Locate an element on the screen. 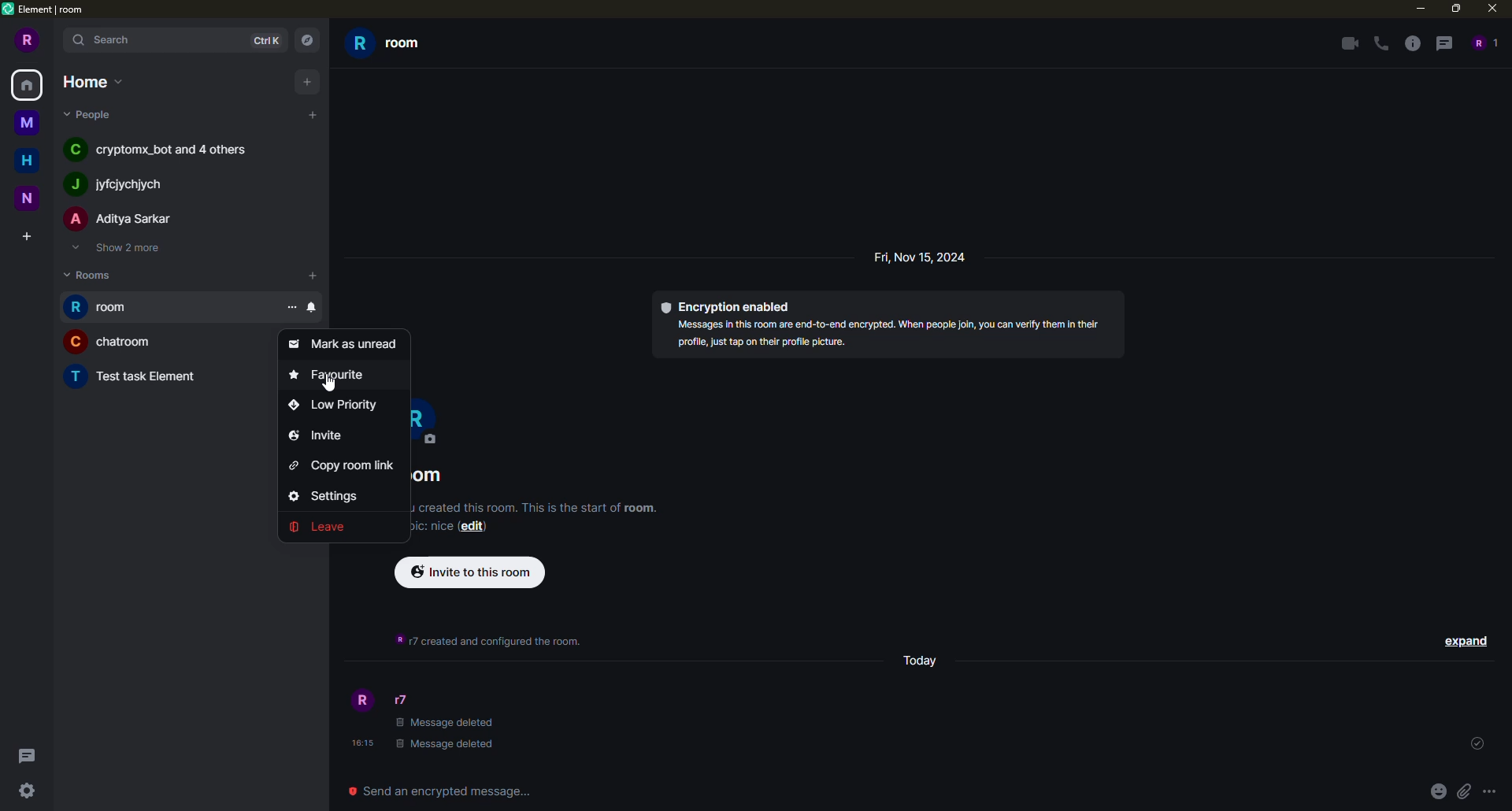 The width and height of the screenshot is (1512, 811). video call is located at coordinates (1347, 43).